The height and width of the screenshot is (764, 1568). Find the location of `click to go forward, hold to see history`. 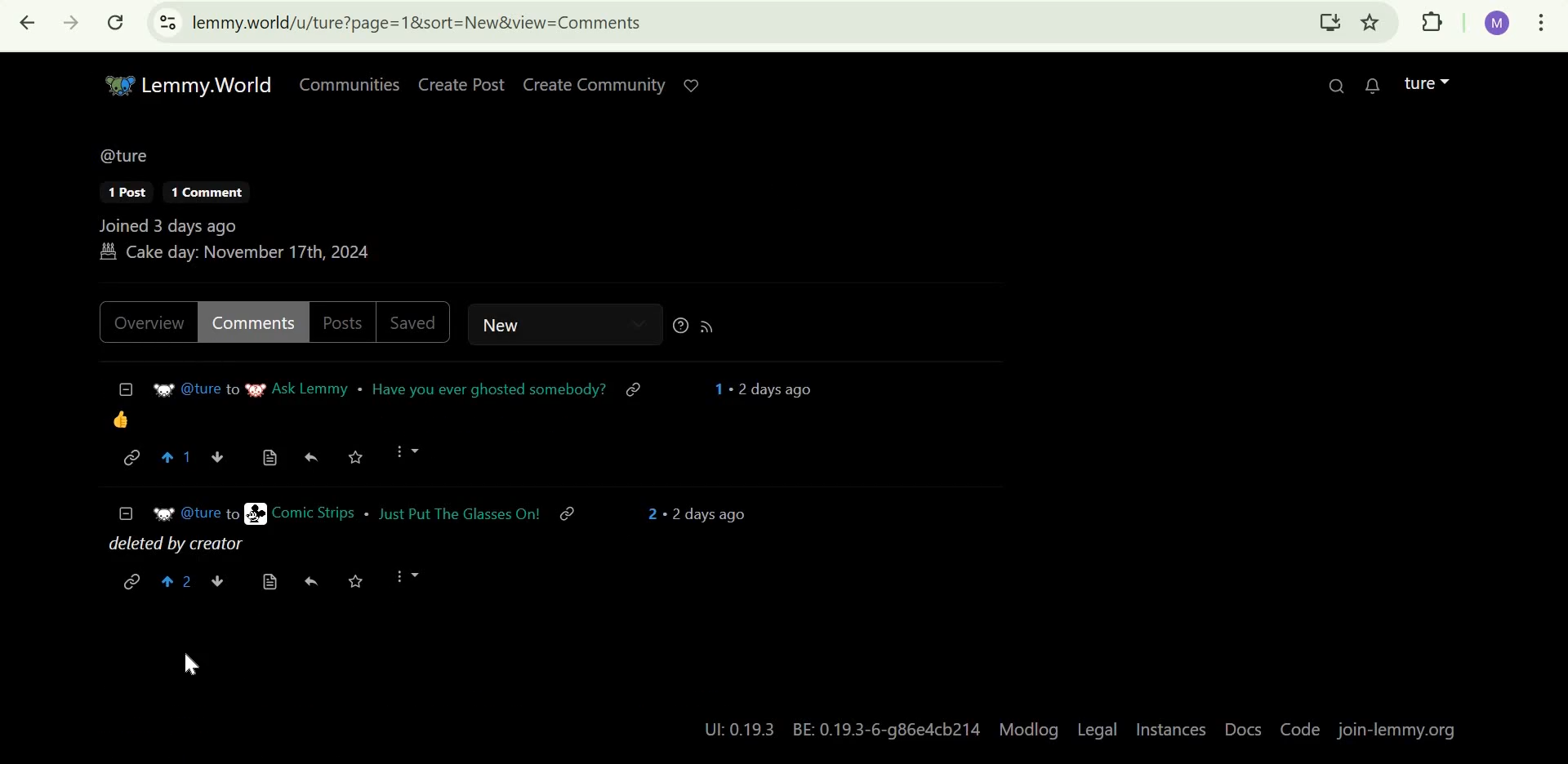

click to go forward, hold to see history is located at coordinates (66, 23).